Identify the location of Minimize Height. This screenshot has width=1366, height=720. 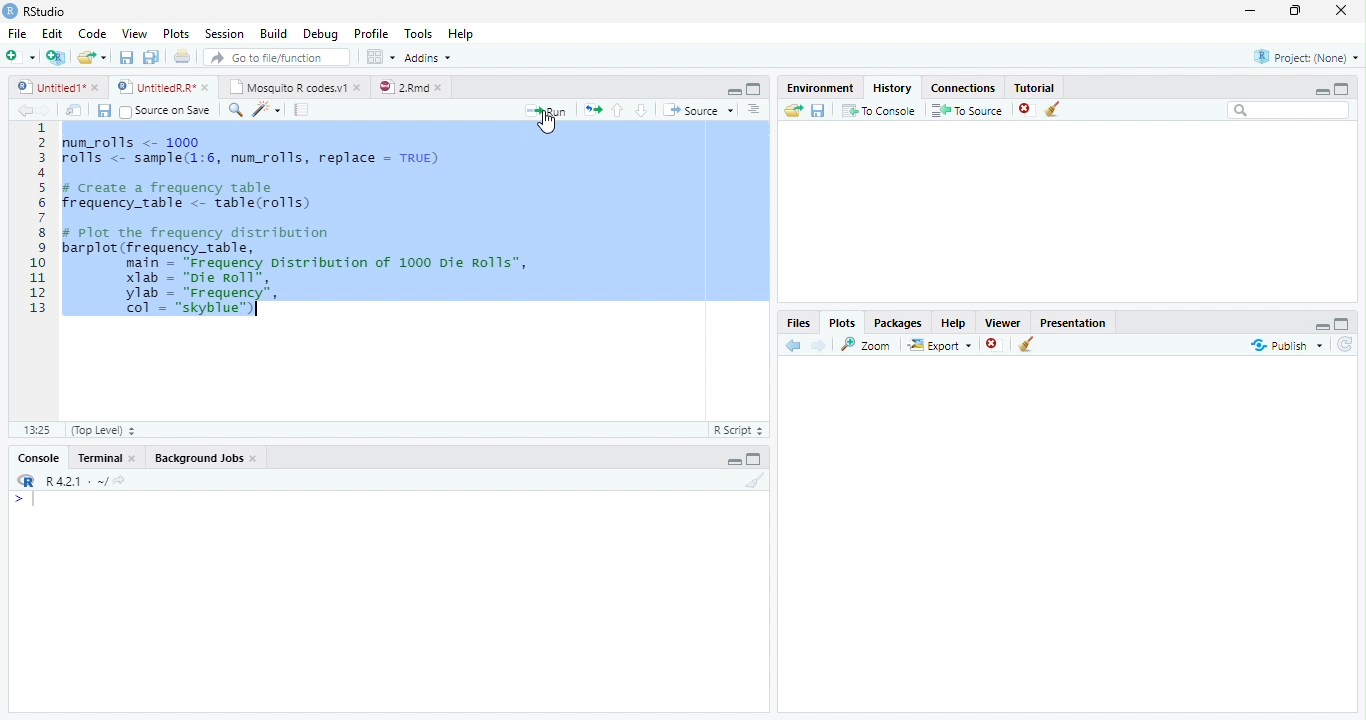
(1321, 91).